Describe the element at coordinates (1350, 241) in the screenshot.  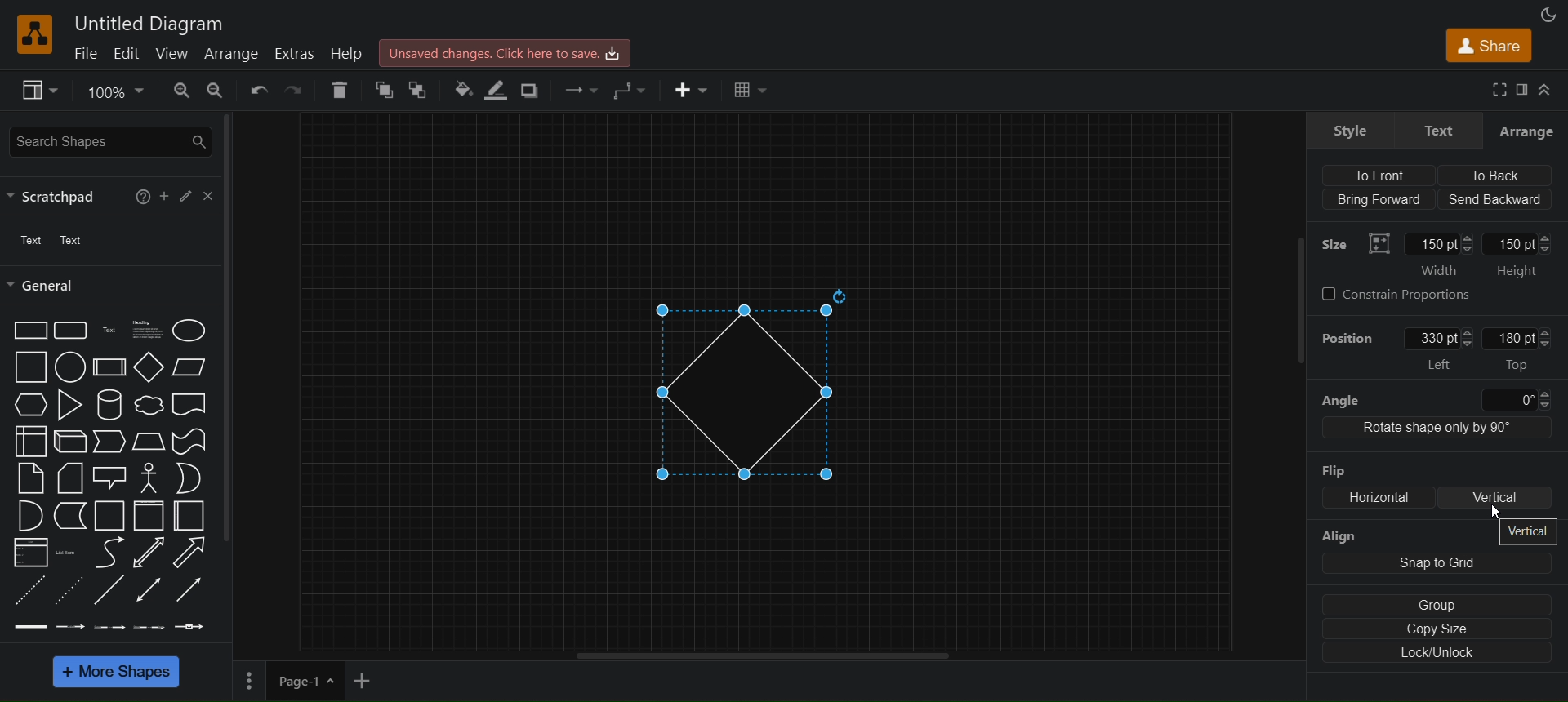
I see `size` at that location.